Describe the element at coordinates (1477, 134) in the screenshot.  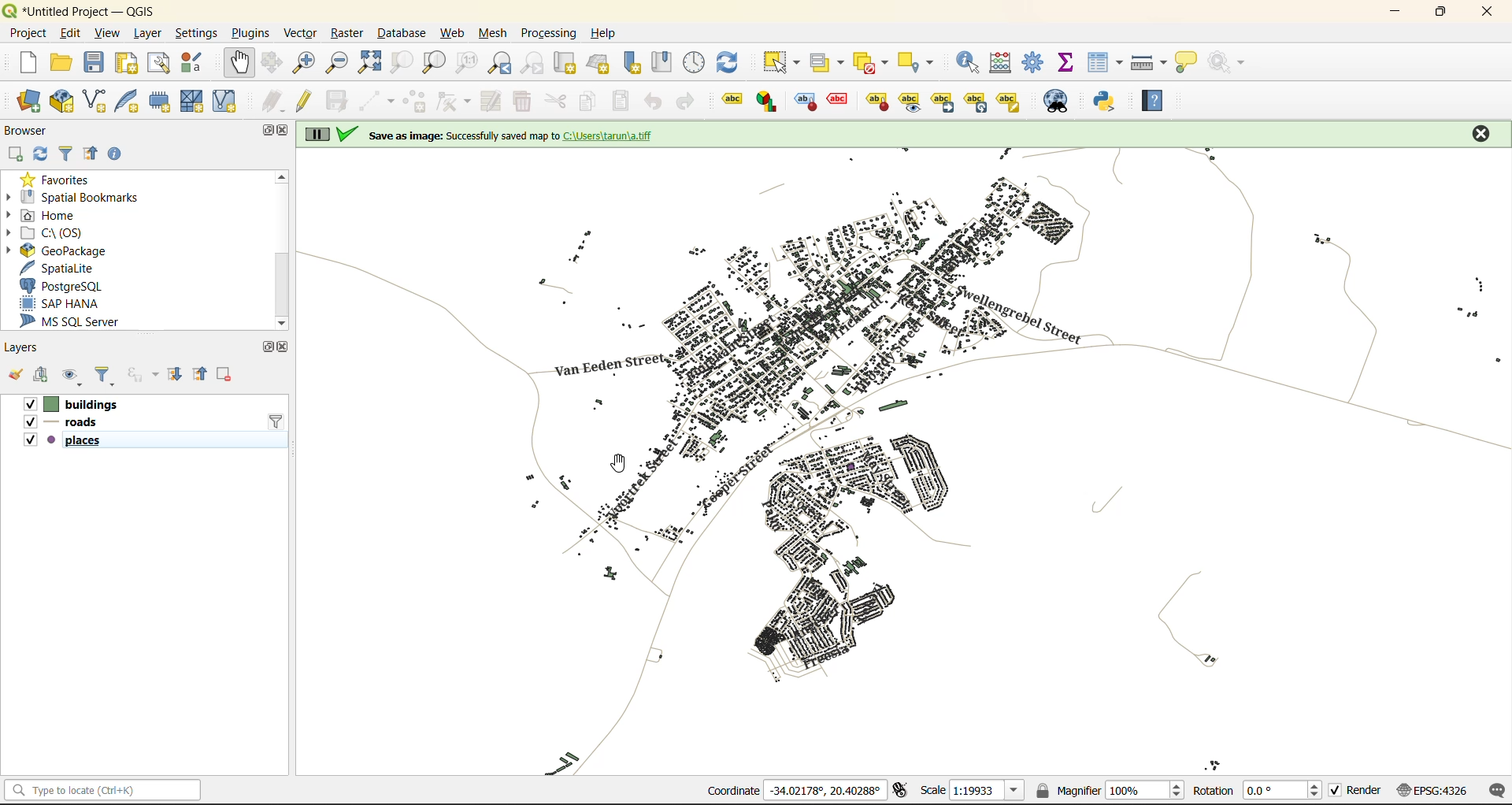
I see `close` at that location.